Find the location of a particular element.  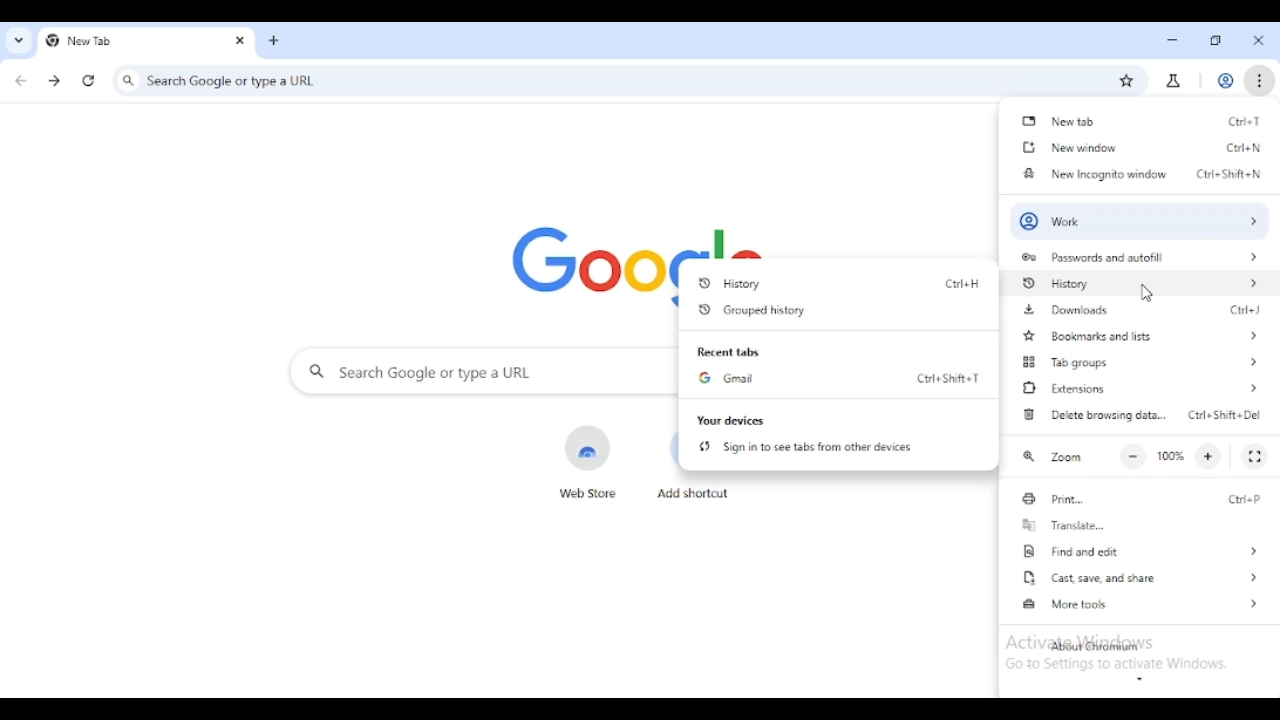

new tab is located at coordinates (274, 41).